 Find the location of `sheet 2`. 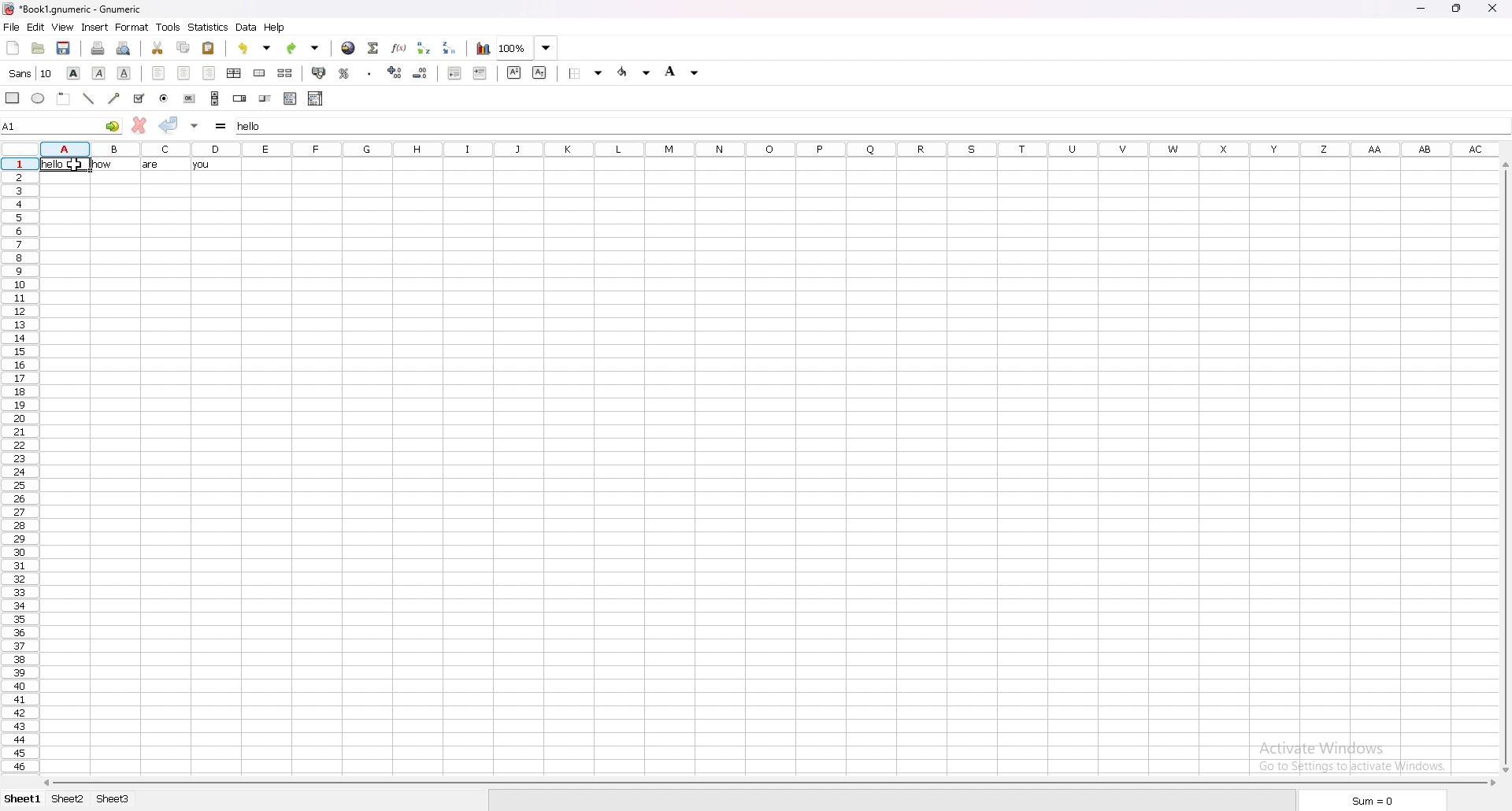

sheet 2 is located at coordinates (69, 799).